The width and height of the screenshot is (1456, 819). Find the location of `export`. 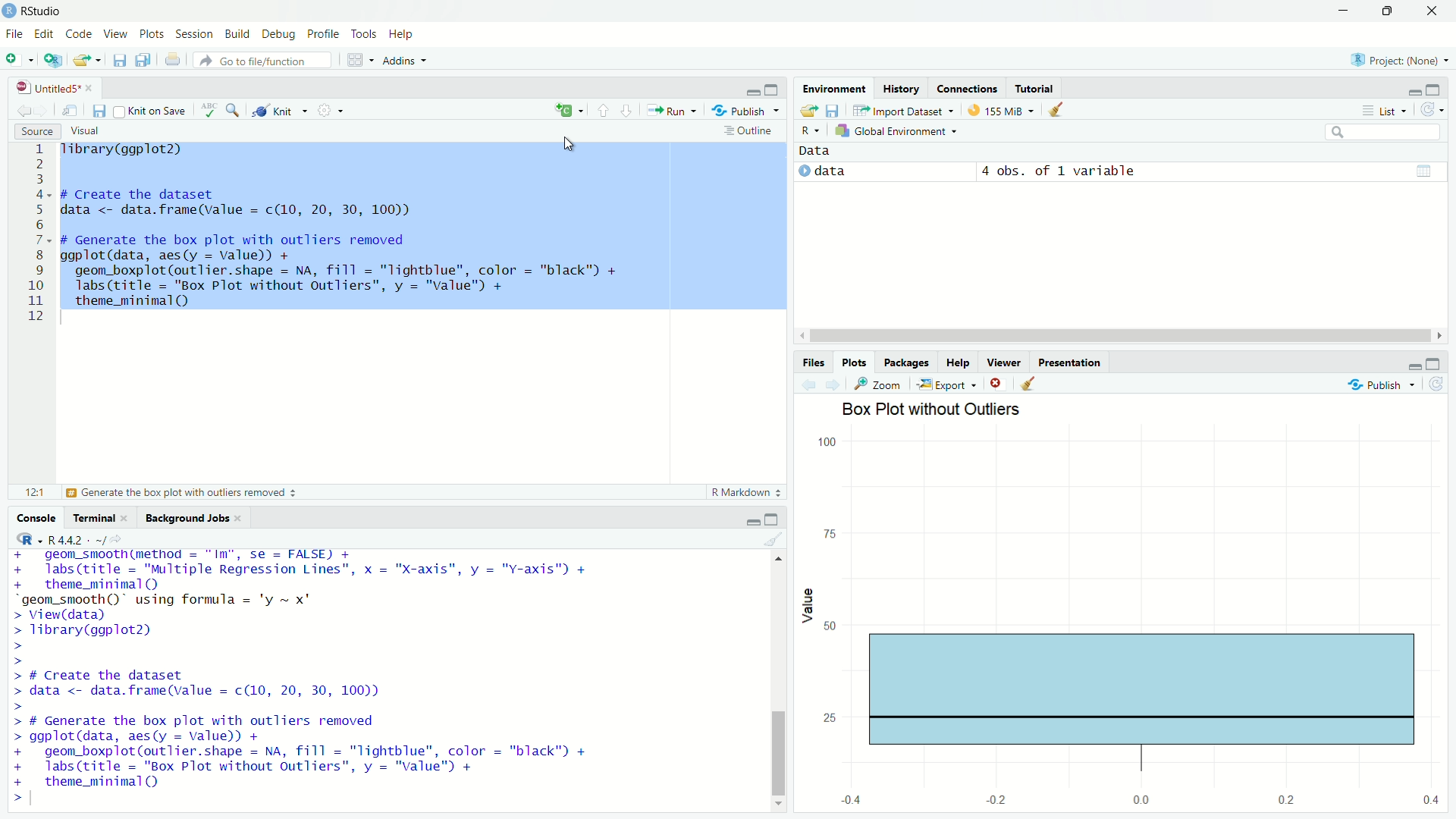

export is located at coordinates (808, 109).